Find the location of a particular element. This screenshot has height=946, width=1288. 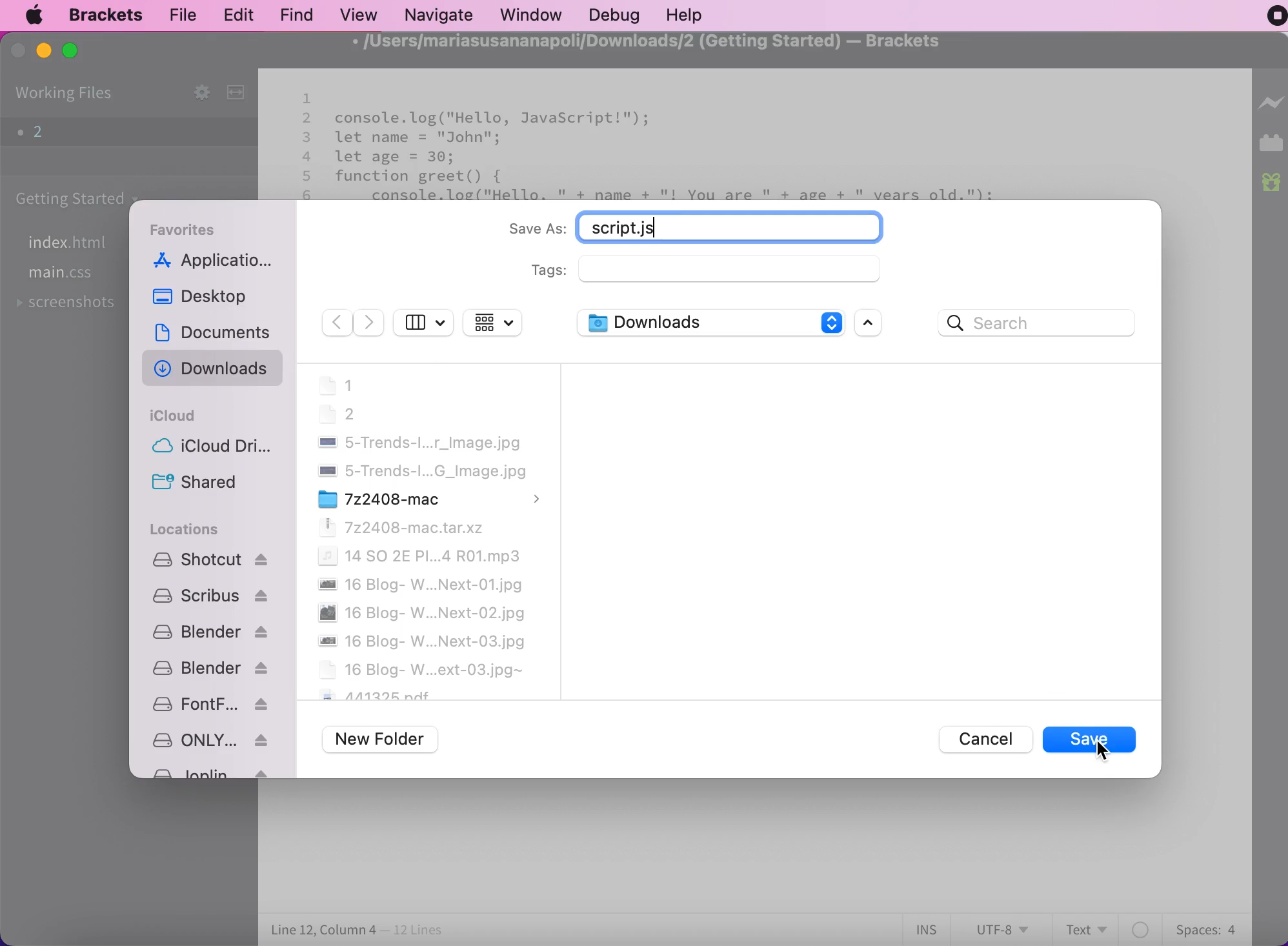

getting started folder is located at coordinates (74, 198).